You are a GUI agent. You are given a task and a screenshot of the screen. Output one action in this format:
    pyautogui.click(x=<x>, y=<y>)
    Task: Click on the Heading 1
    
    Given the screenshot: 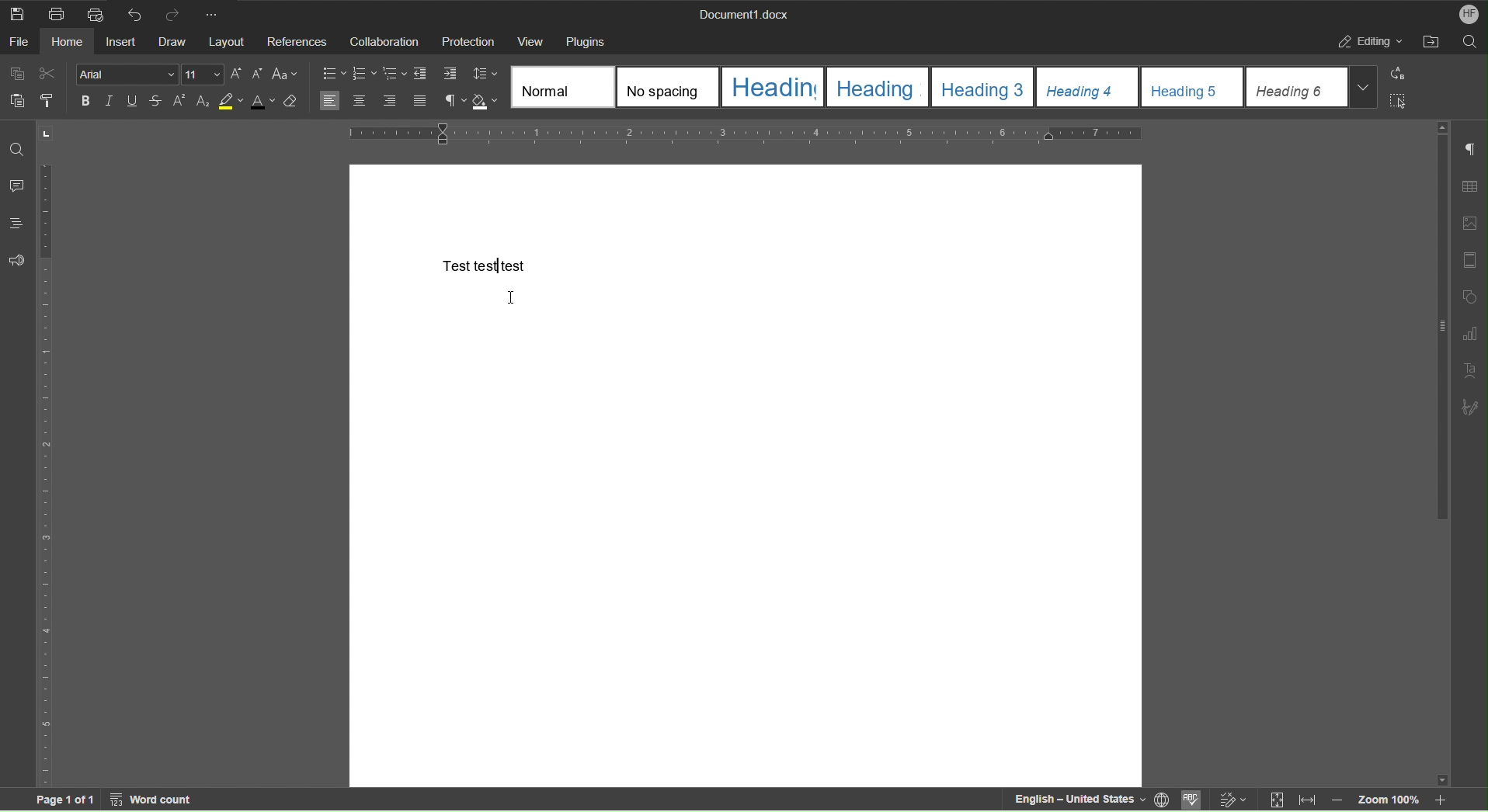 What is the action you would take?
    pyautogui.click(x=774, y=88)
    